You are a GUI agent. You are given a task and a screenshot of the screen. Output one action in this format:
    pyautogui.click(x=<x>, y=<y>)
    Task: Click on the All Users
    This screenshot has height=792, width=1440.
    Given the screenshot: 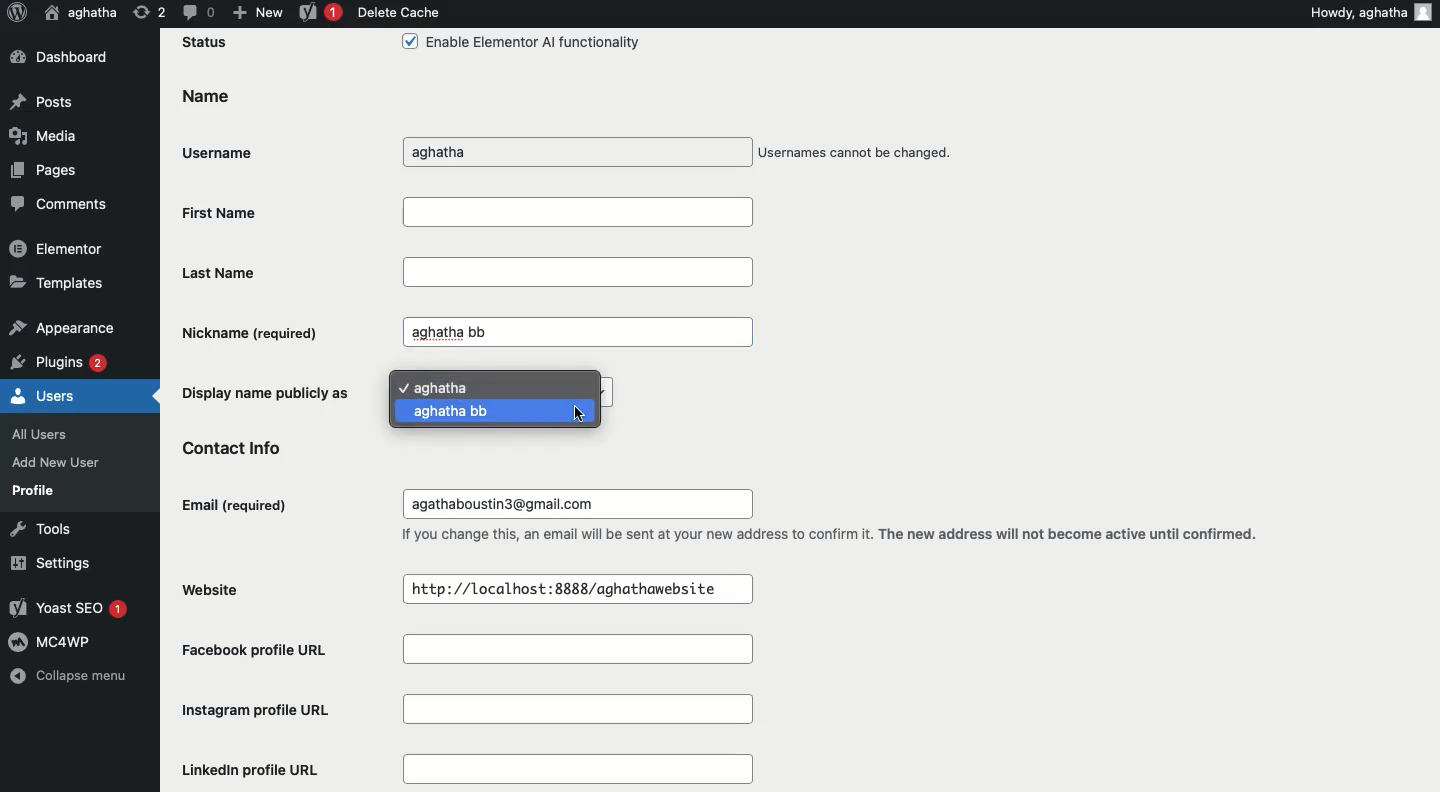 What is the action you would take?
    pyautogui.click(x=50, y=432)
    